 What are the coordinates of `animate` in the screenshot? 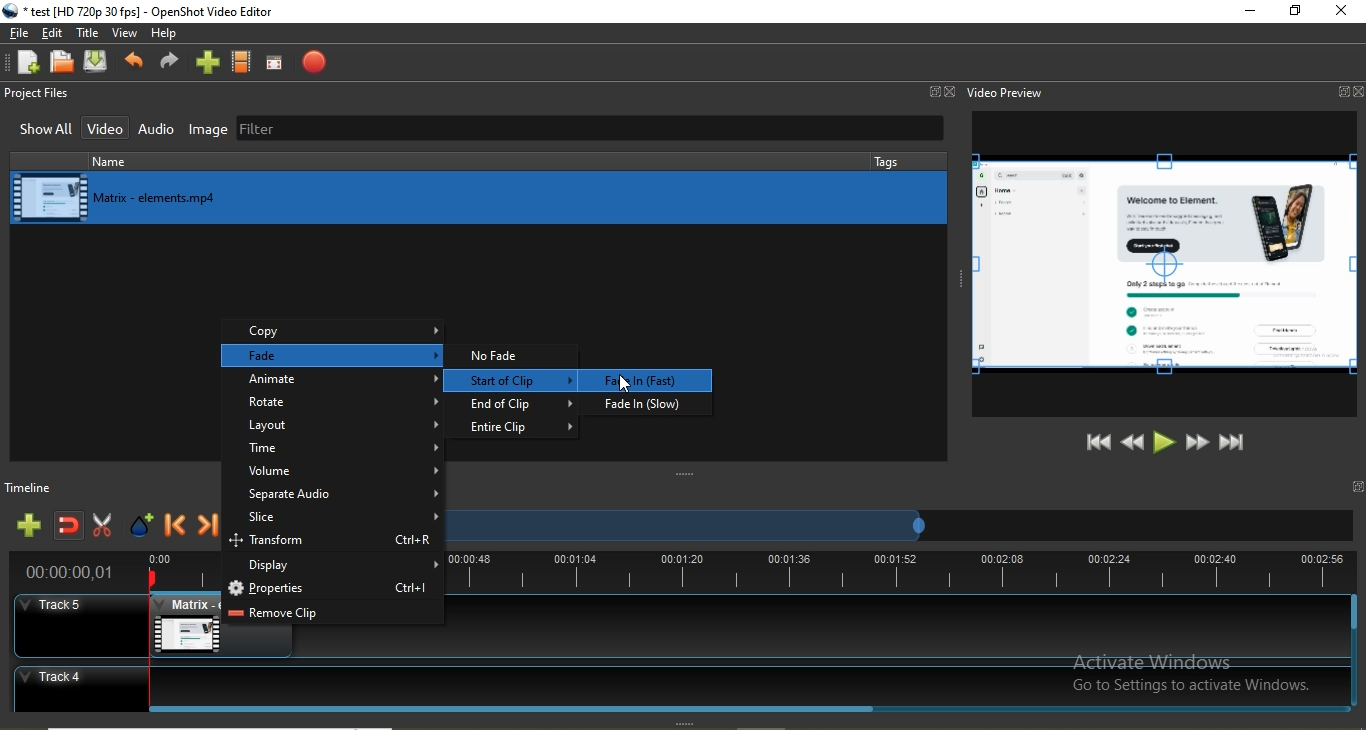 It's located at (334, 380).